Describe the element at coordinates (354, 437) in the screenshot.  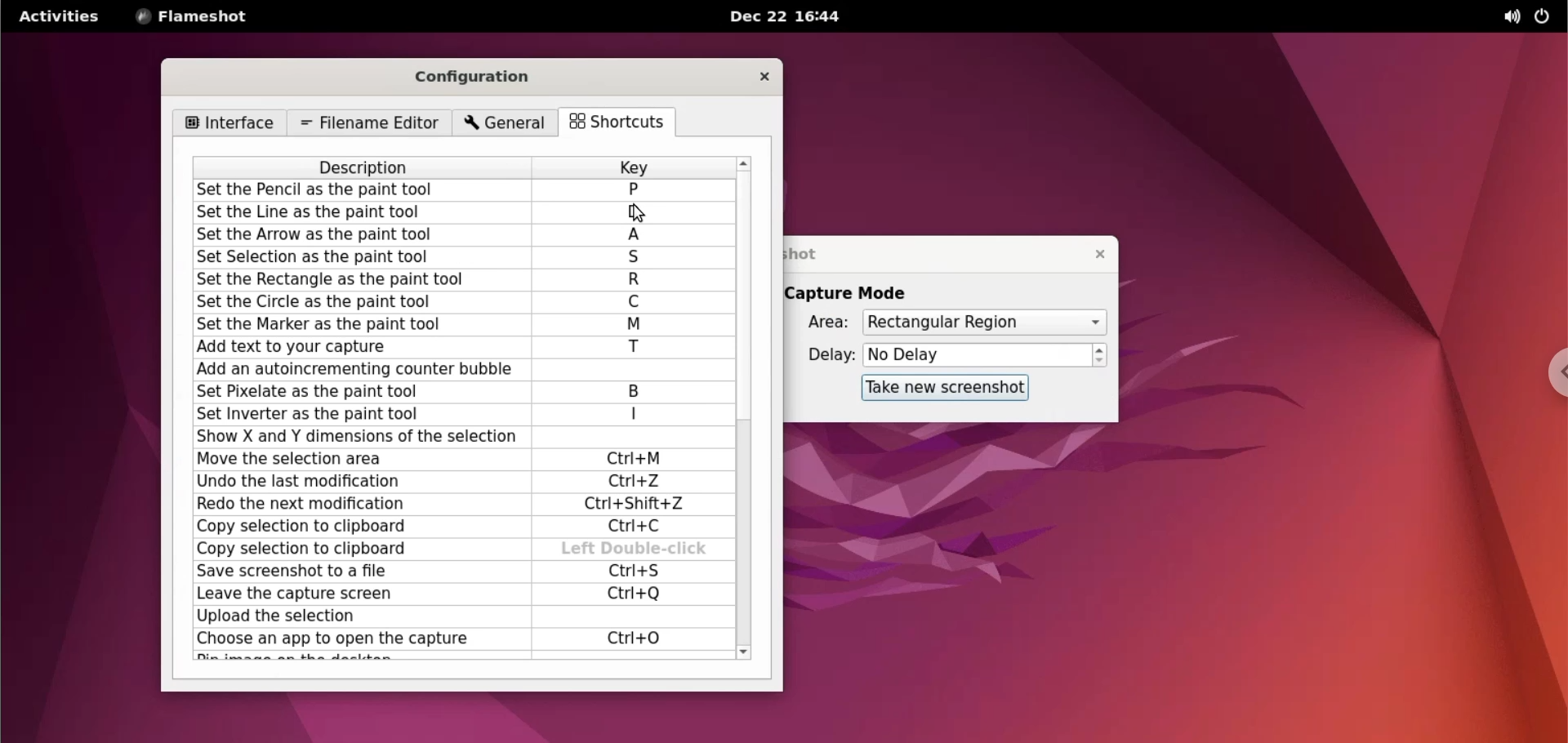
I see `show X and Y dimensions of the selection` at that location.